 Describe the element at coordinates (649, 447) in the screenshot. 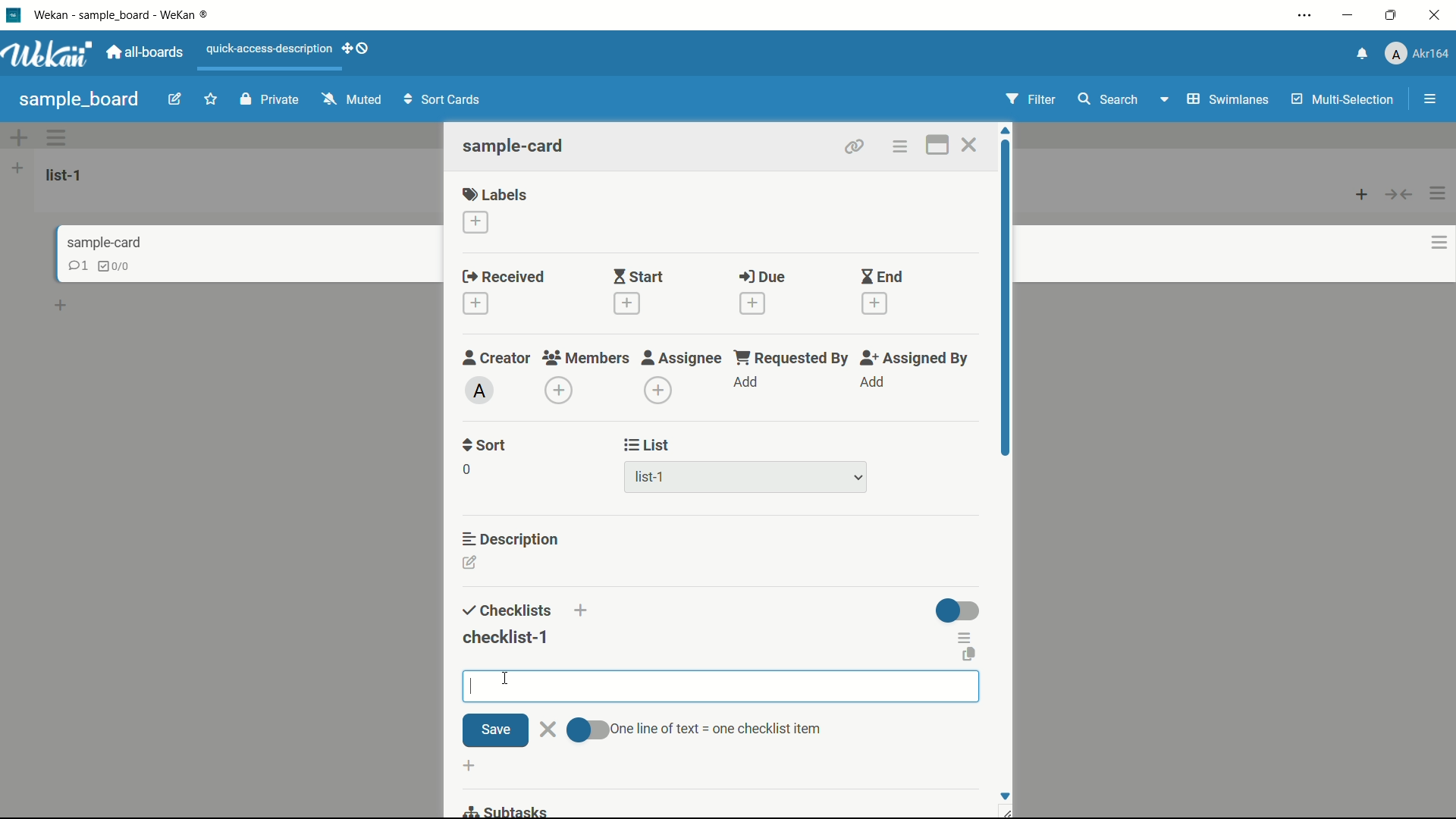

I see `list` at that location.